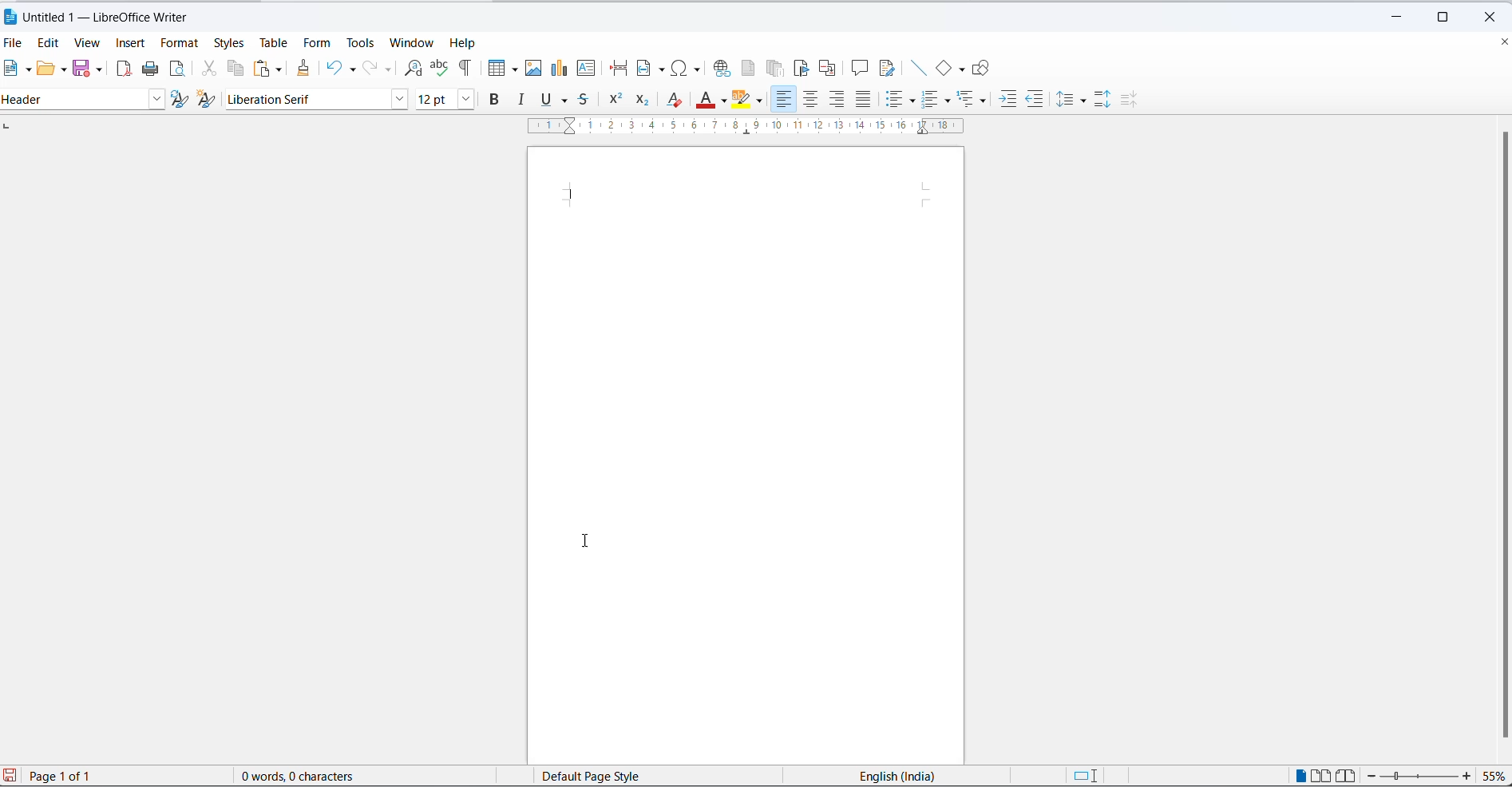 This screenshot has height=787, width=1512. Describe the element at coordinates (463, 100) in the screenshot. I see `font size options` at that location.